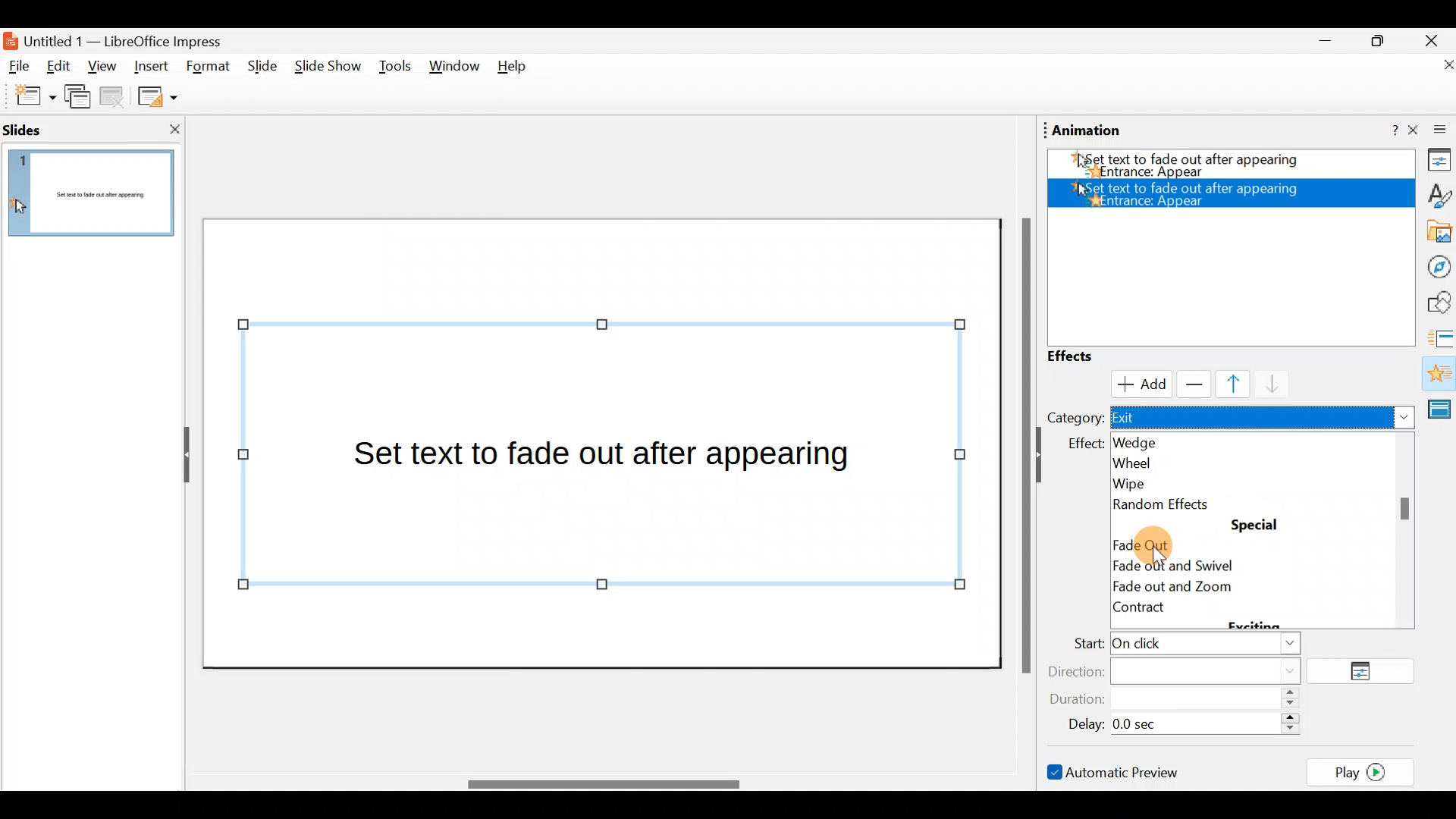 The width and height of the screenshot is (1456, 819). Describe the element at coordinates (156, 96) in the screenshot. I see `Slide layout` at that location.